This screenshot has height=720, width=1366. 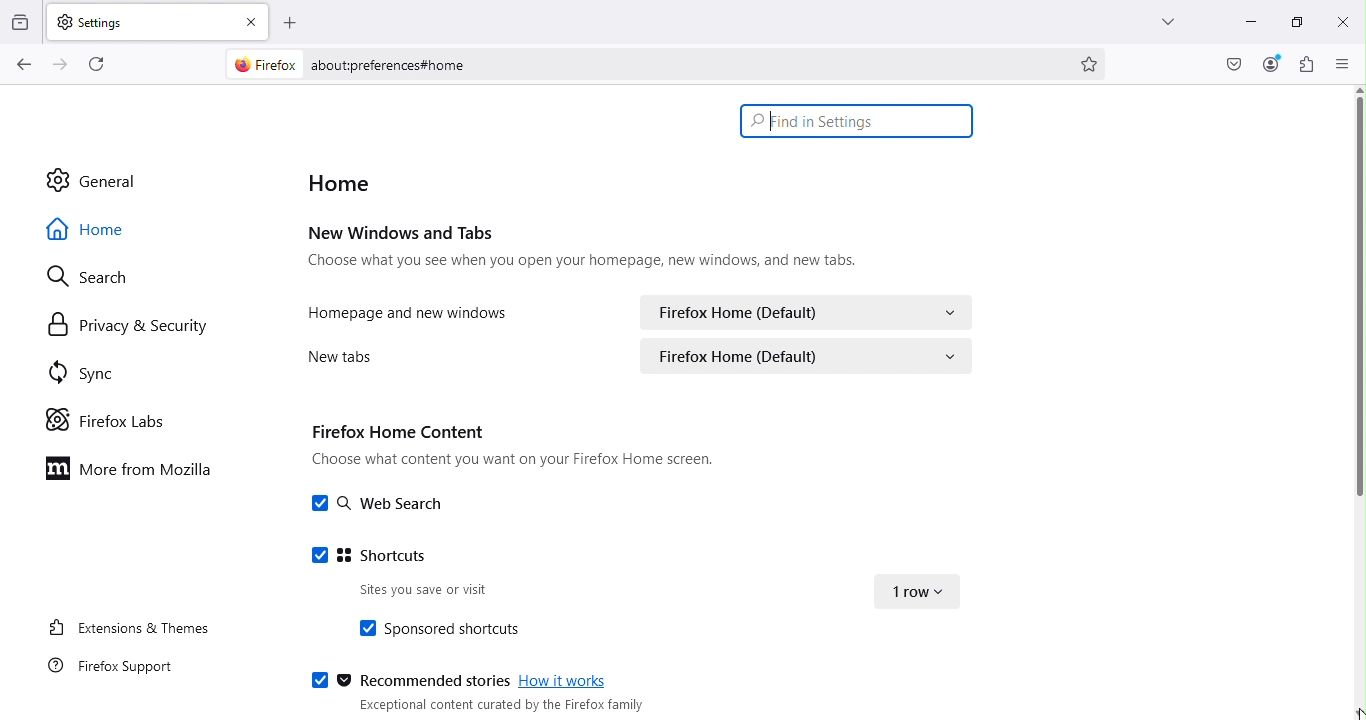 I want to click on Search bar, so click(x=682, y=65).